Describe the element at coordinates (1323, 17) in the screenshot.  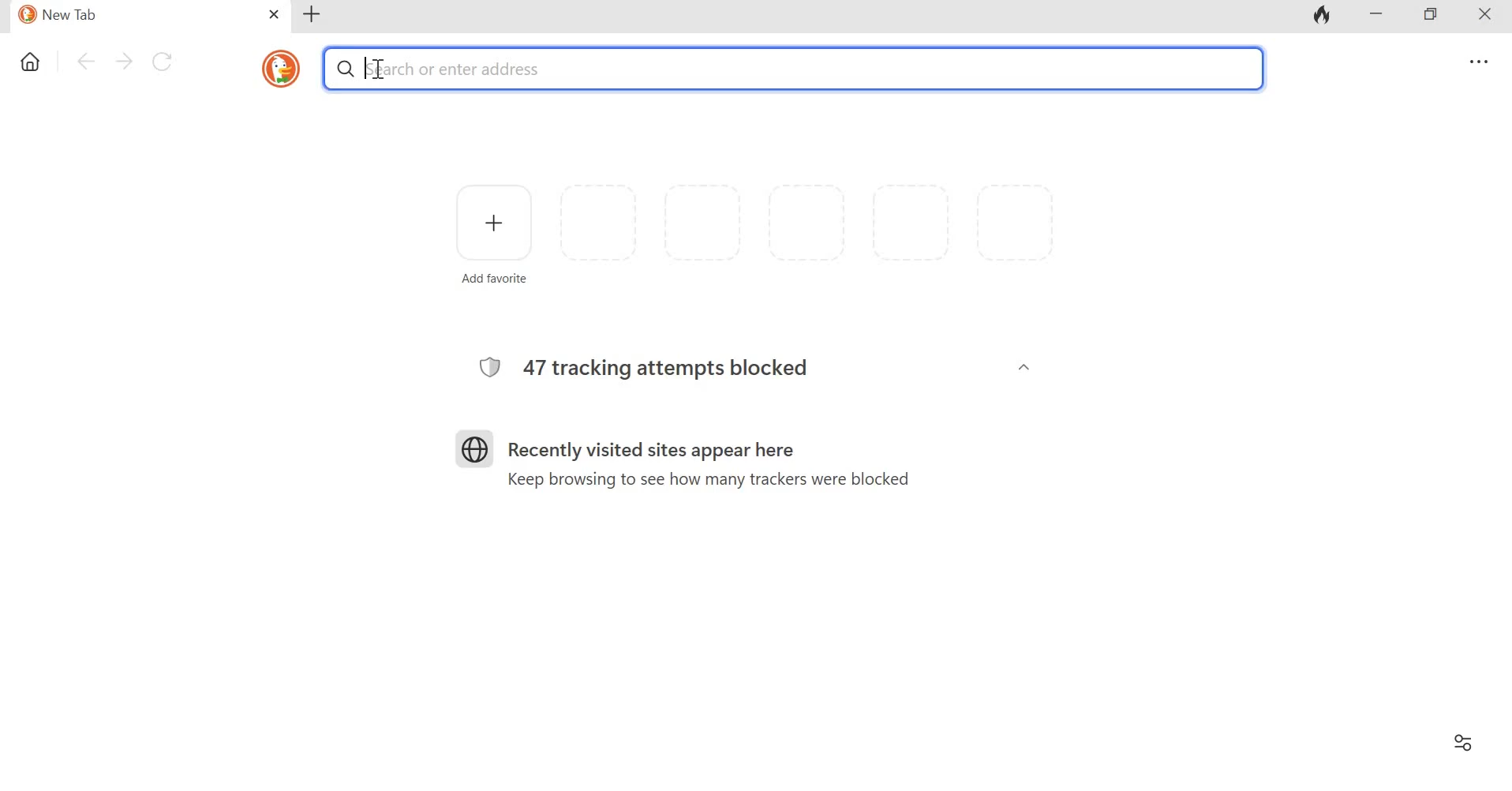
I see `Fire icon` at that location.